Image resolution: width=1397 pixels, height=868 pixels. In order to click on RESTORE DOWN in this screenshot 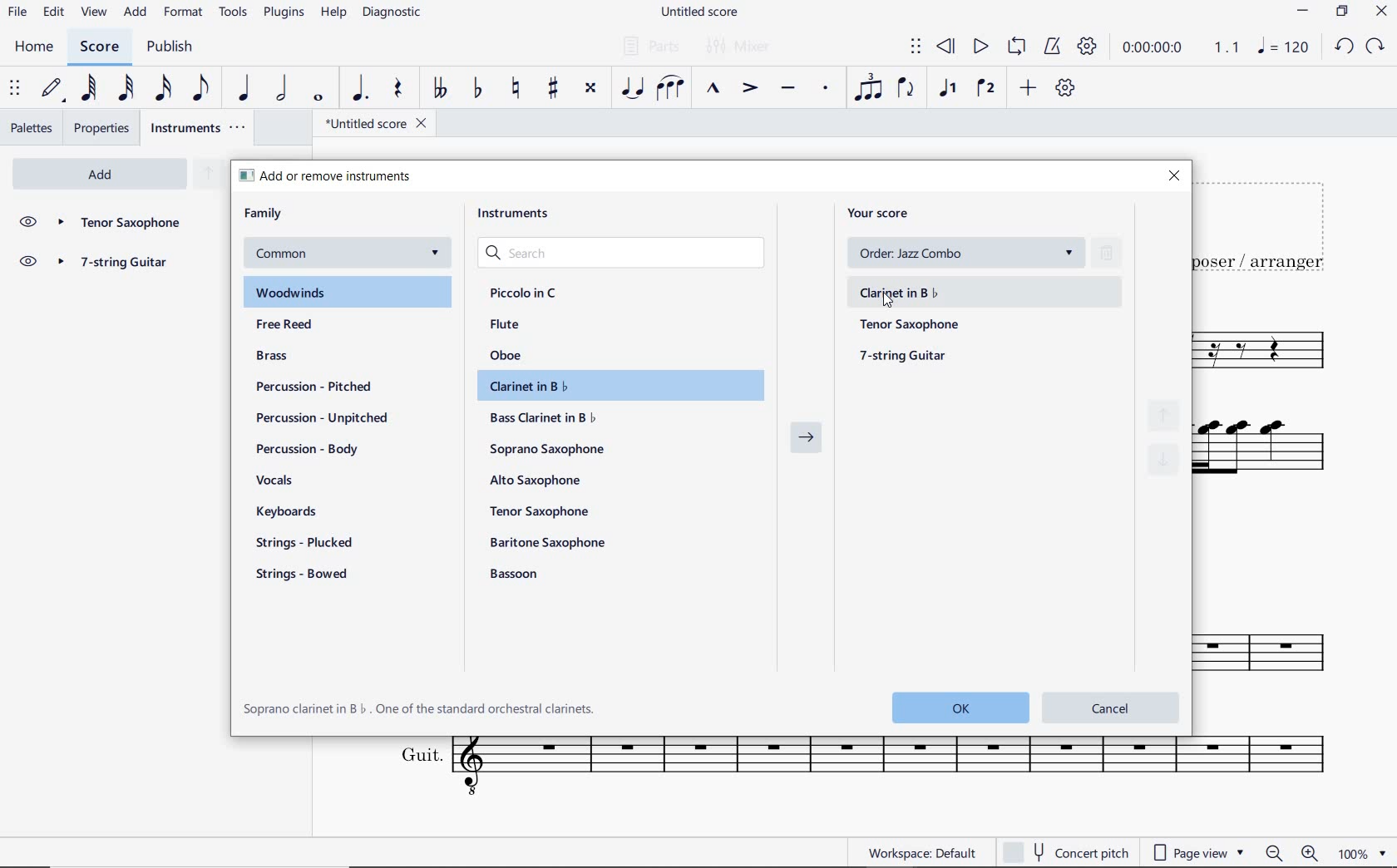, I will do `click(1345, 12)`.